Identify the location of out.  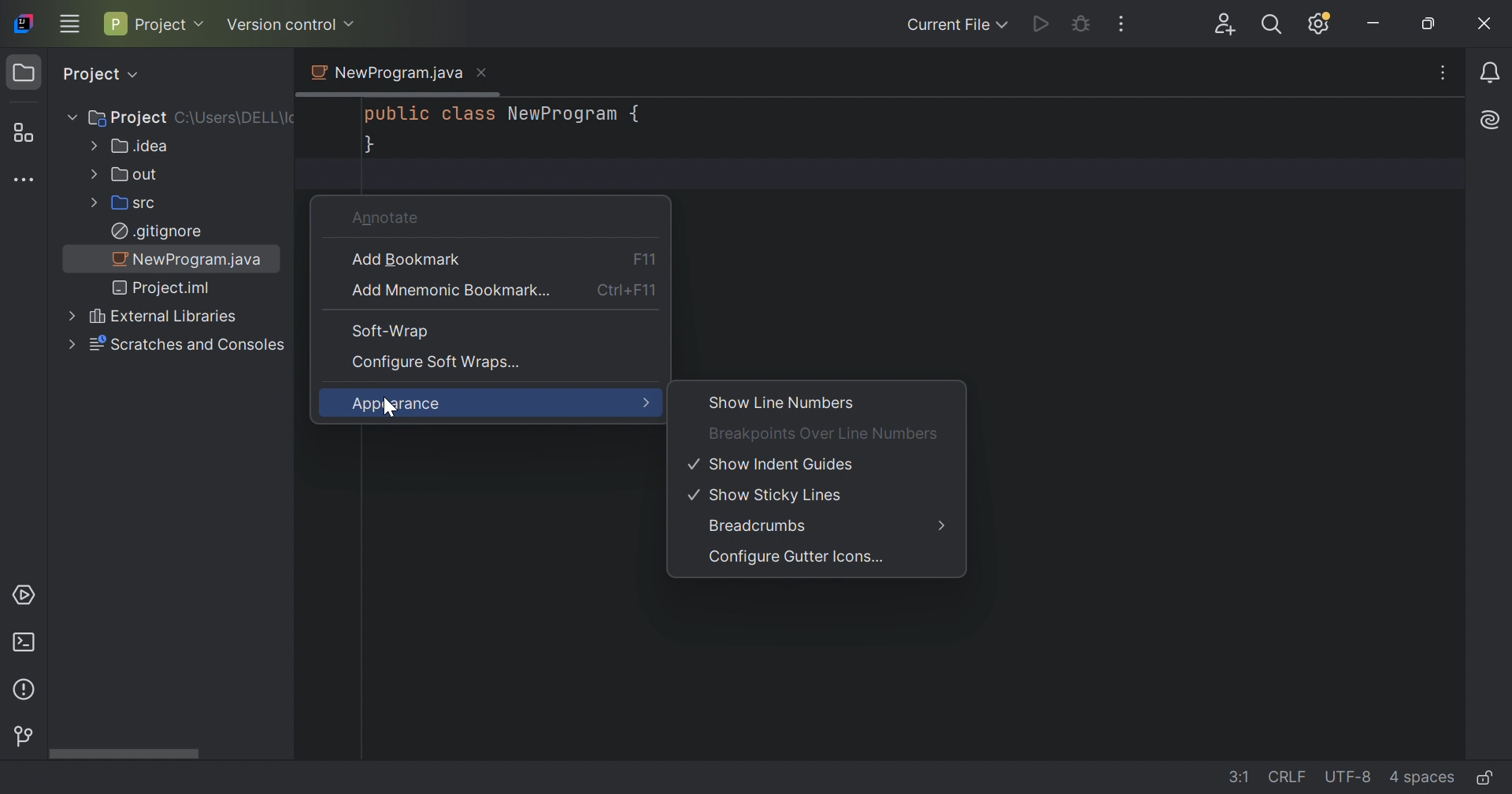
(135, 173).